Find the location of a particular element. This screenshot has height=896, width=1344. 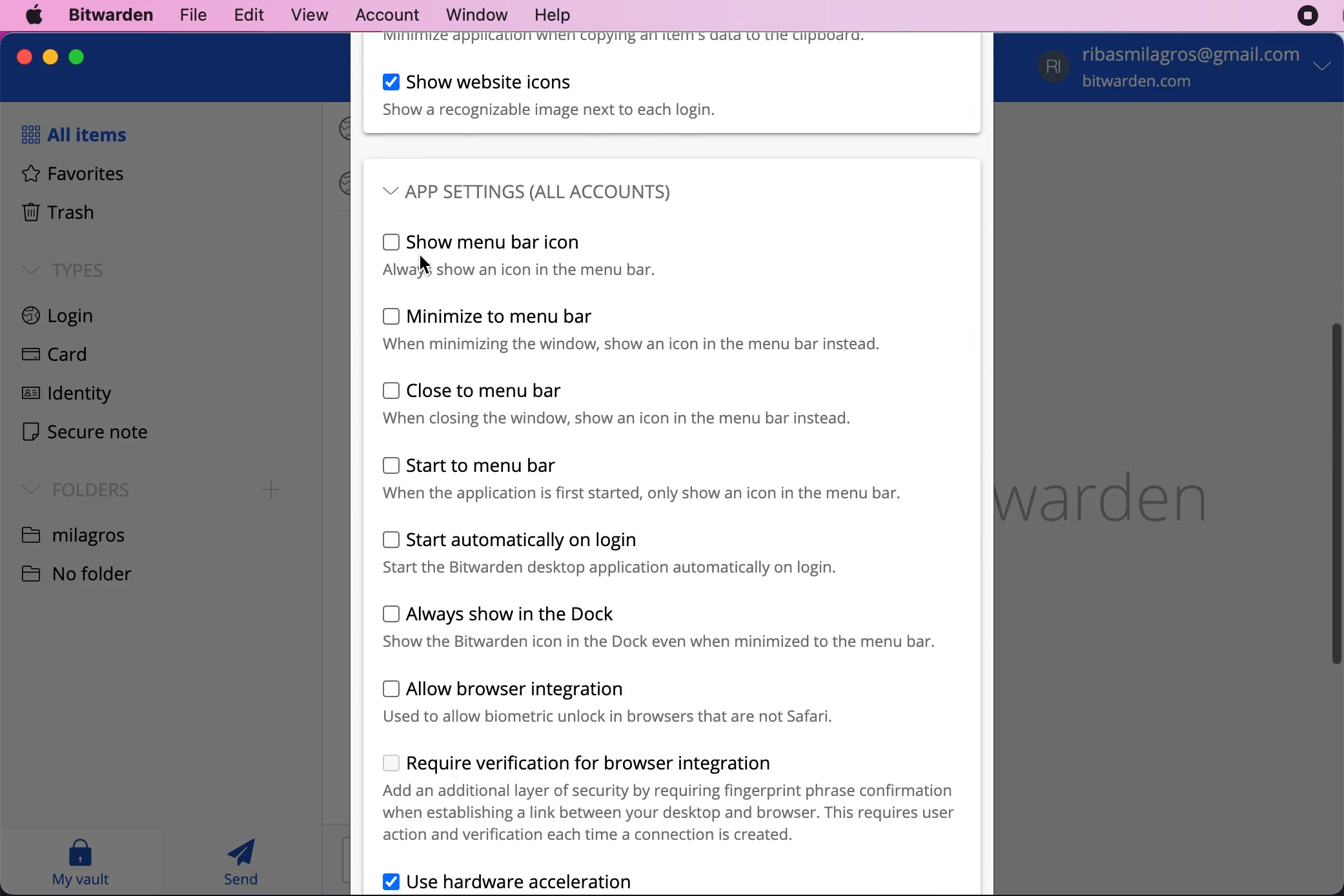

no folder is located at coordinates (87, 572).